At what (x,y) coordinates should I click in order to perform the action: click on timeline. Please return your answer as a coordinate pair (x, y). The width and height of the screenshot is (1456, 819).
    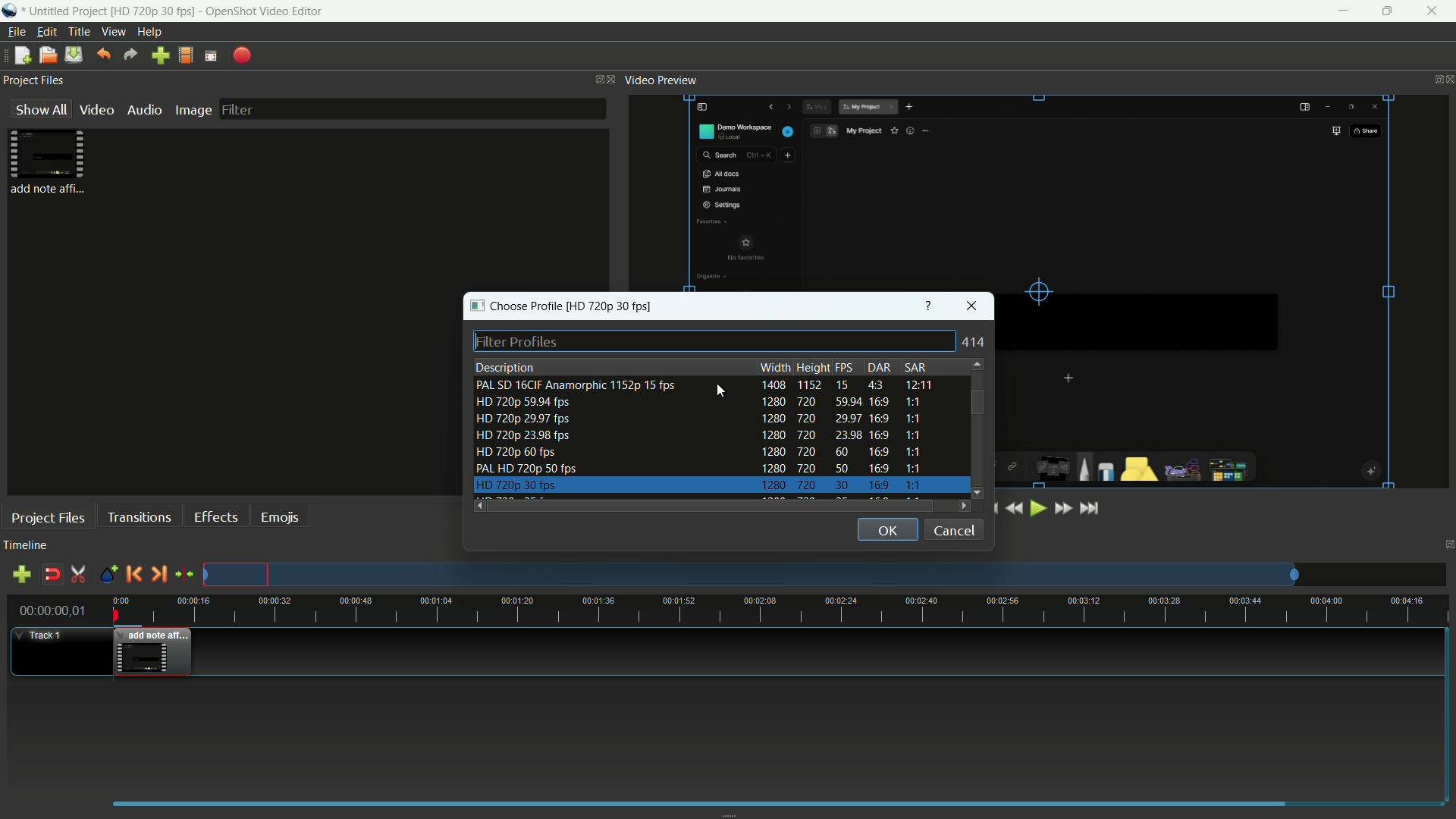
    Looking at the image, I should click on (26, 545).